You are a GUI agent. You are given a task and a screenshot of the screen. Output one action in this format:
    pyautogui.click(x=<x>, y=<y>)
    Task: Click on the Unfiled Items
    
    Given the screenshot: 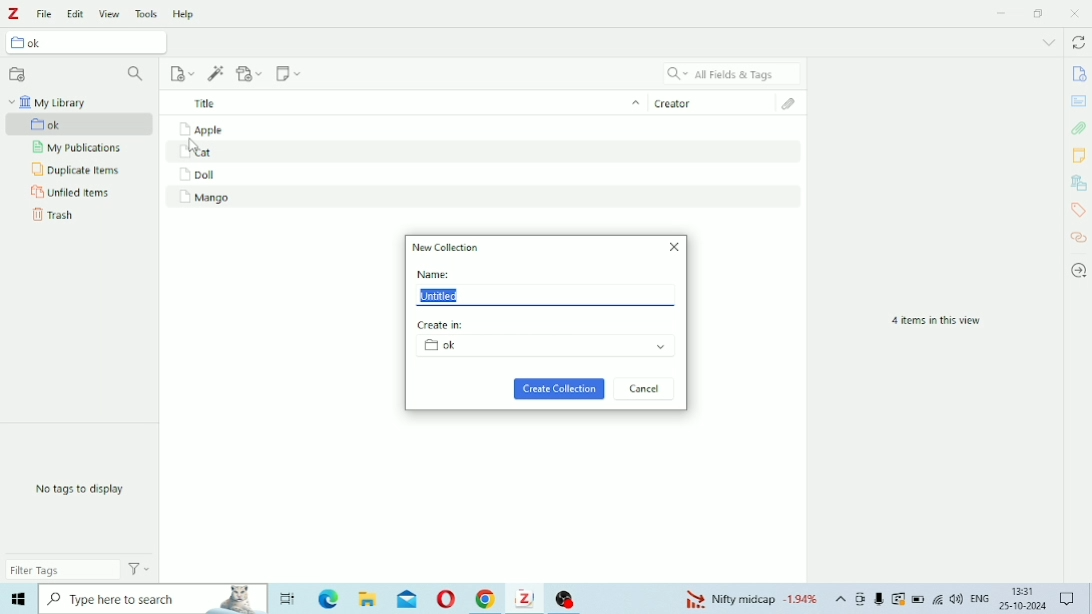 What is the action you would take?
    pyautogui.click(x=72, y=193)
    